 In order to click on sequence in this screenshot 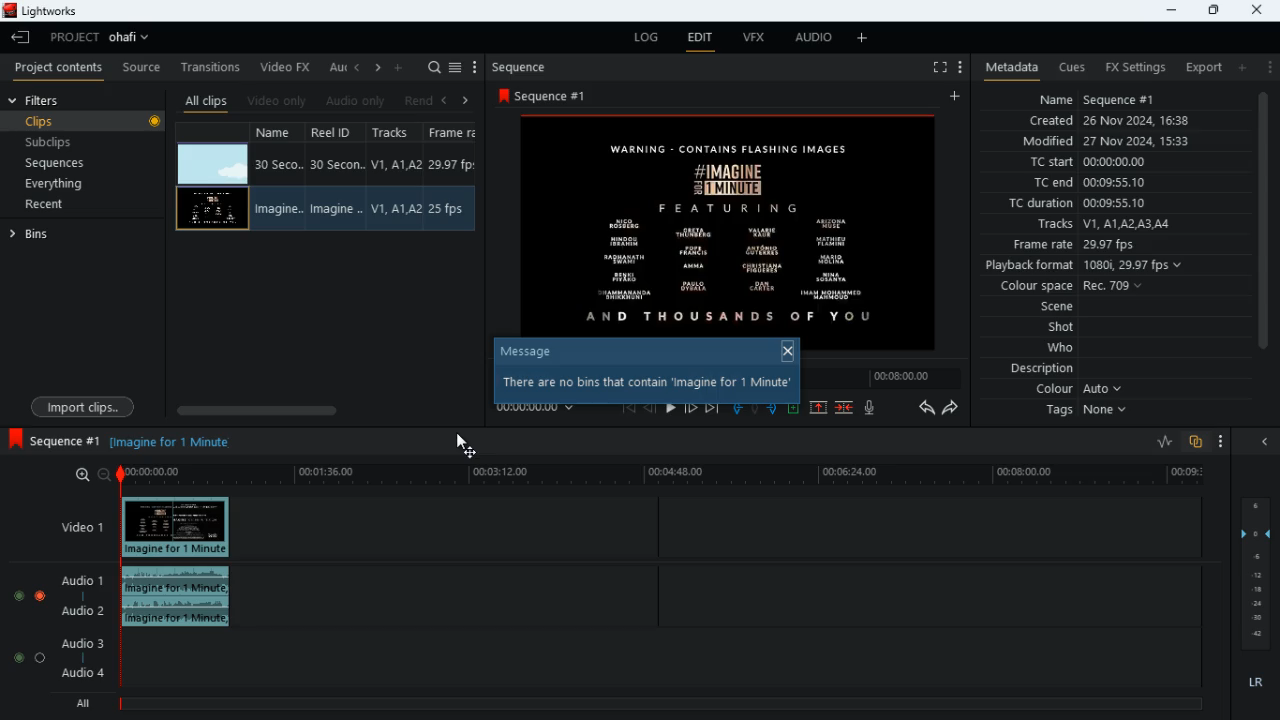, I will do `click(548, 96)`.